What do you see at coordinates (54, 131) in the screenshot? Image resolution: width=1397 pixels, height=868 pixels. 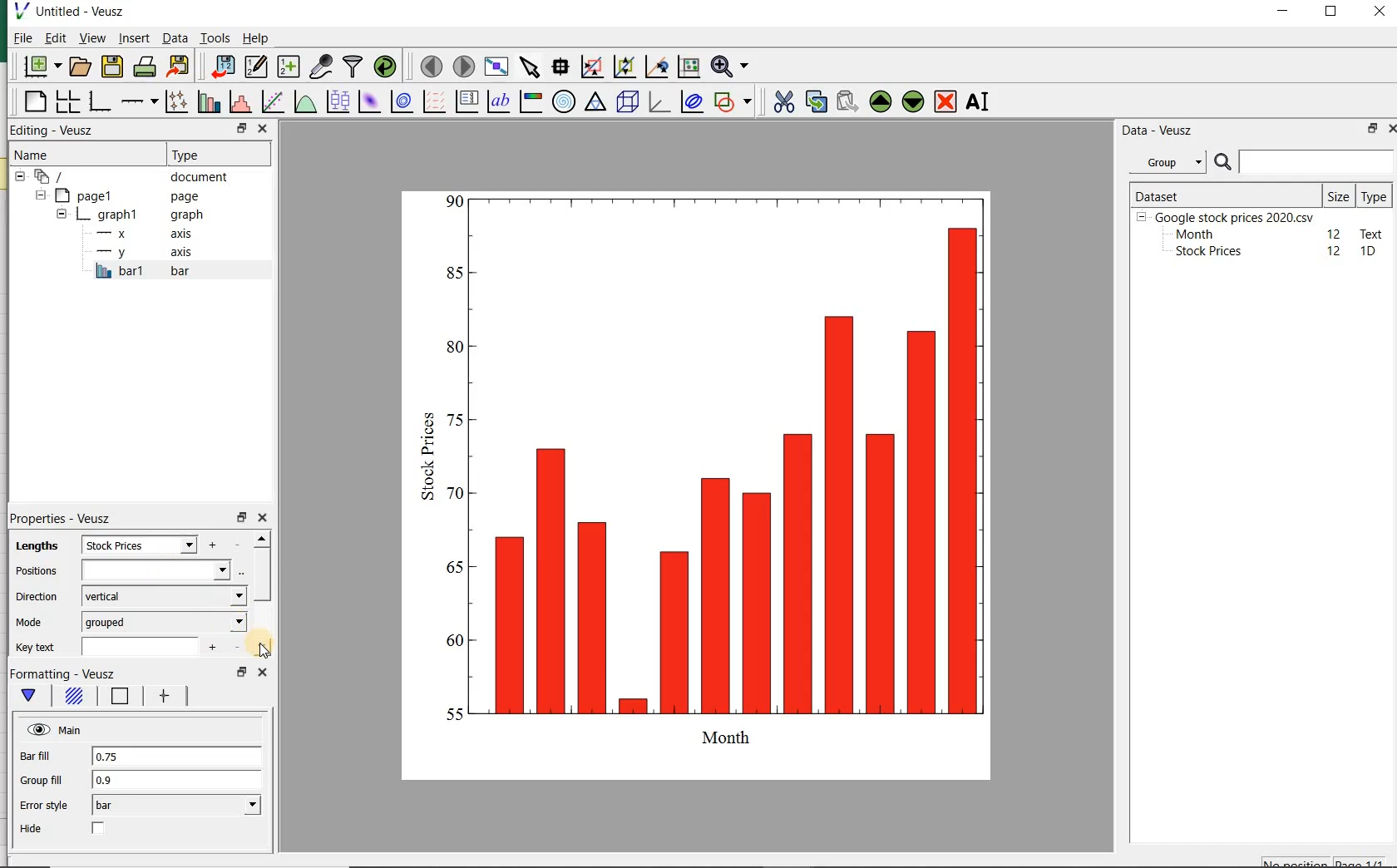 I see `Editing - Veusz` at bounding box center [54, 131].